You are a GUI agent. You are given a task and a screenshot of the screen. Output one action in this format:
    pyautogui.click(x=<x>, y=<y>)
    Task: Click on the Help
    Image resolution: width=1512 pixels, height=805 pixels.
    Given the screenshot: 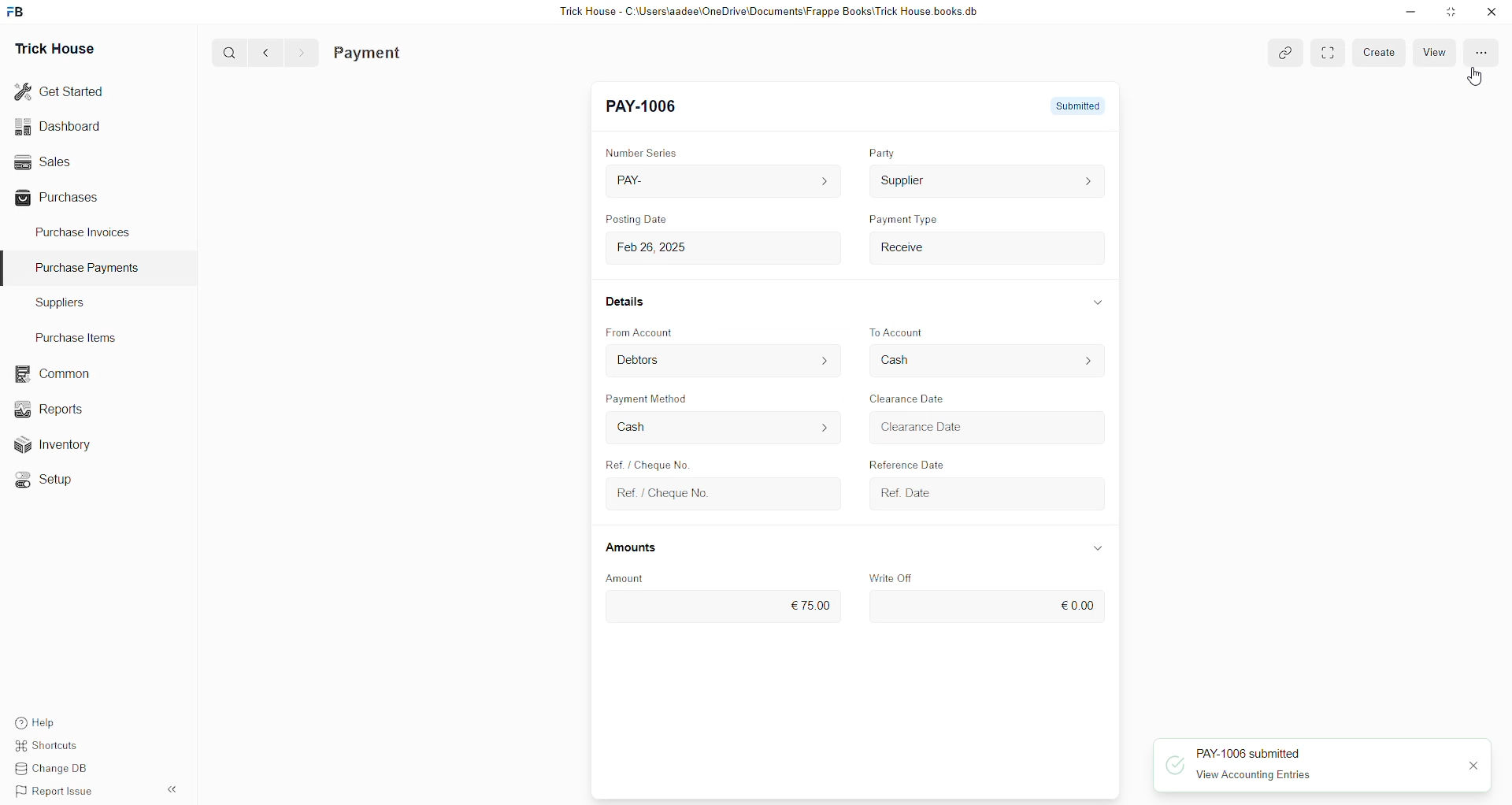 What is the action you would take?
    pyautogui.click(x=35, y=723)
    